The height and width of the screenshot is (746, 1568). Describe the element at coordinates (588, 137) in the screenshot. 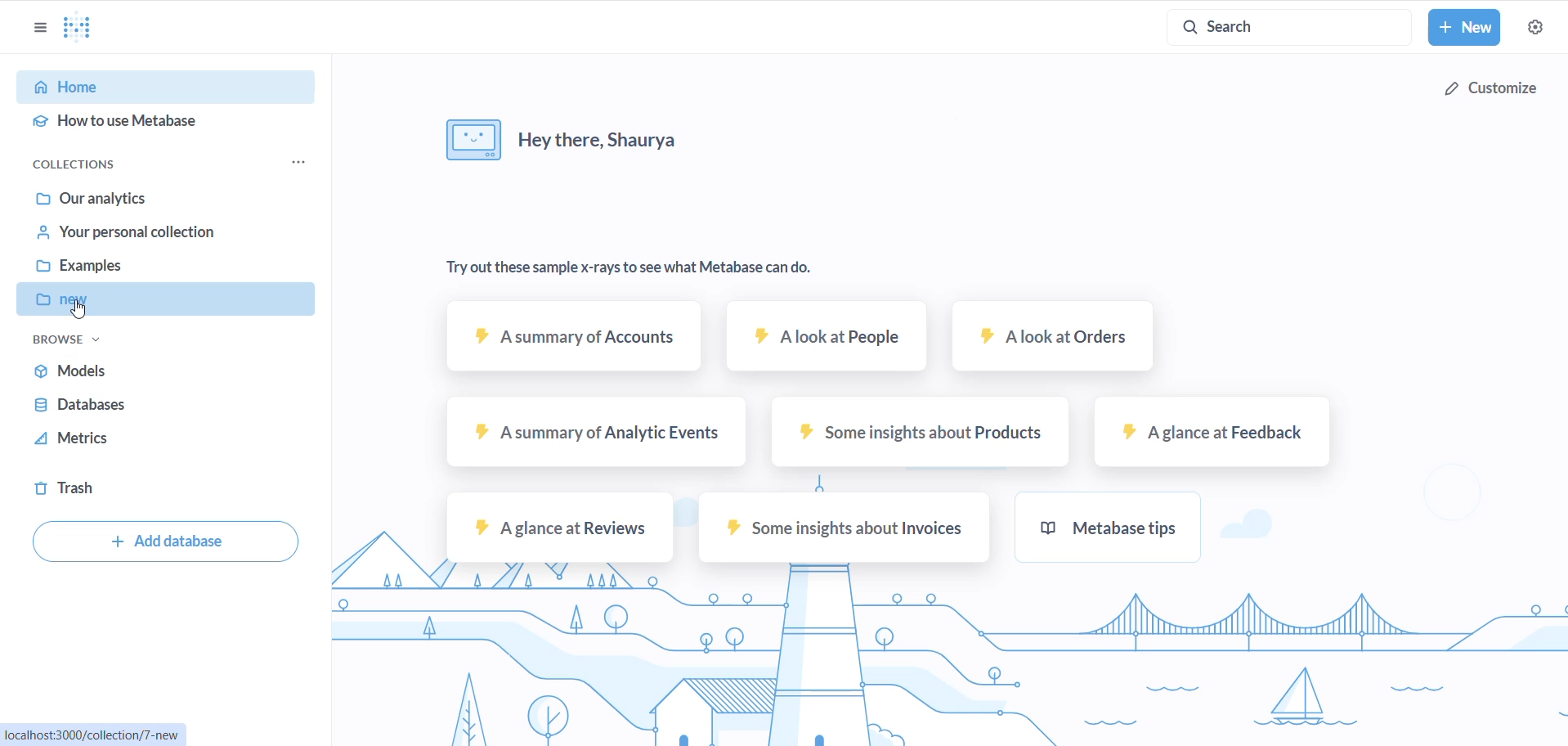

I see `Hey there, Shaurya` at that location.